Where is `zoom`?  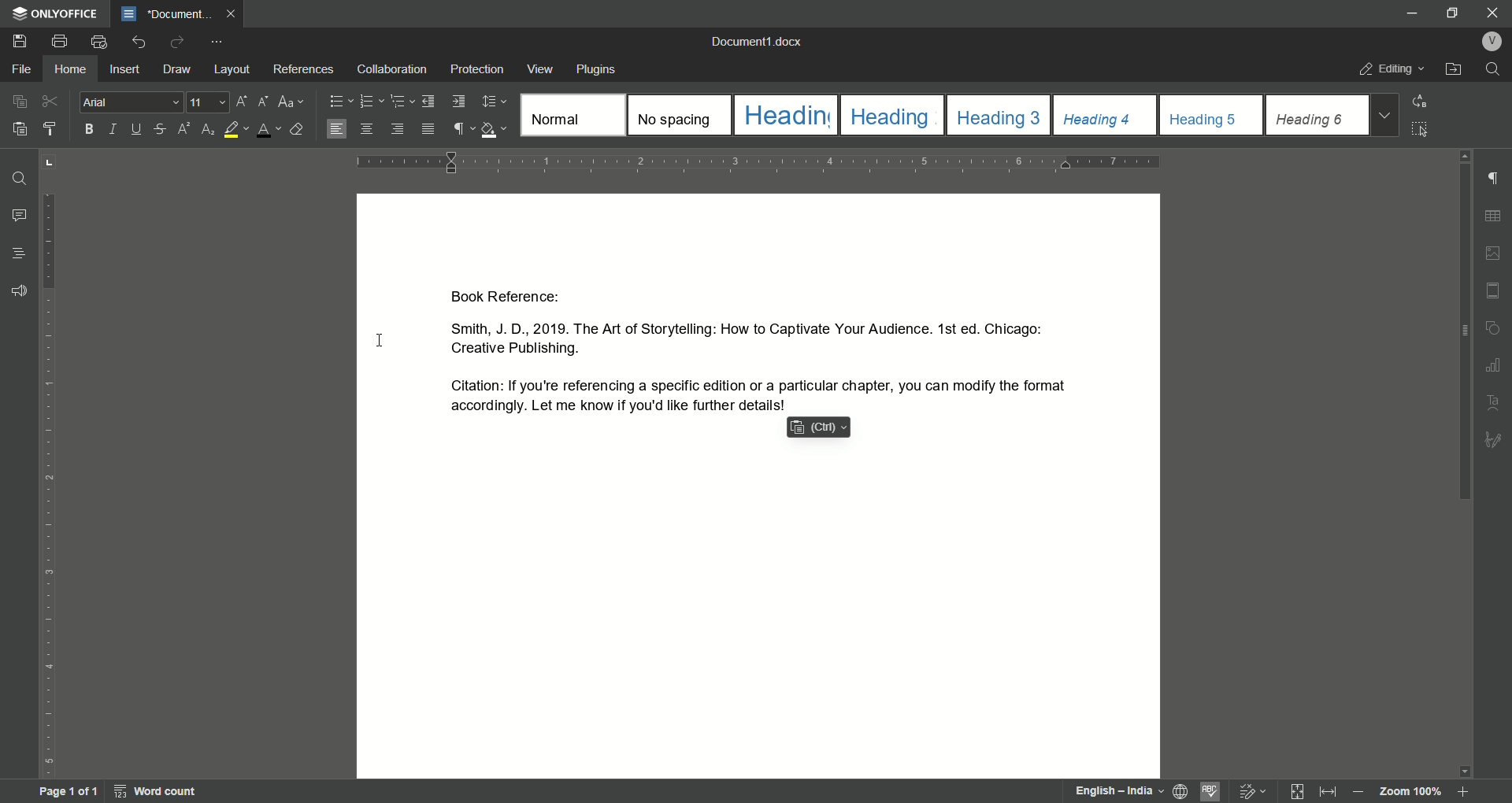 zoom is located at coordinates (1417, 793).